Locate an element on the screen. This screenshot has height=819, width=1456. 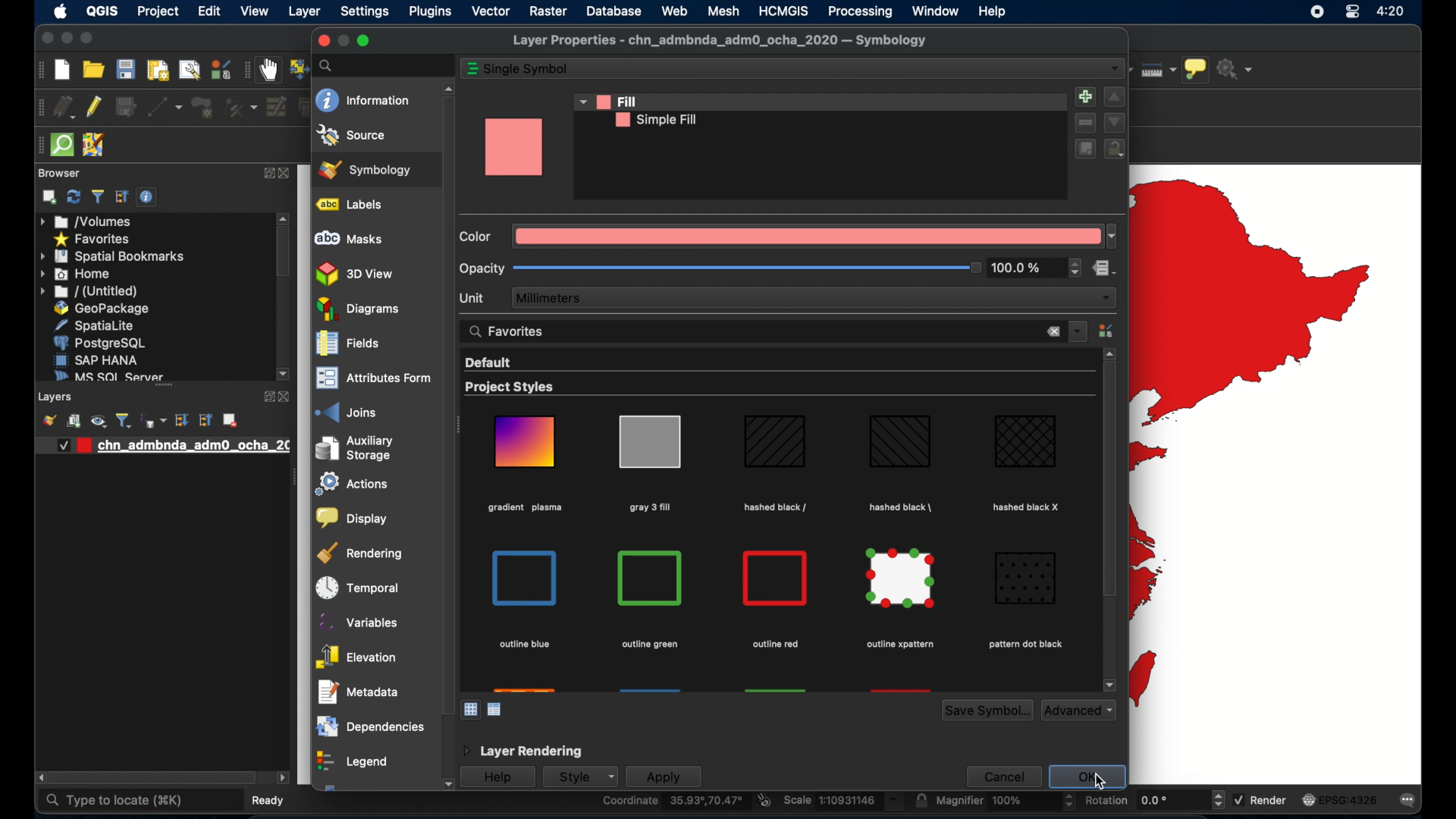
control center is located at coordinates (1352, 13).